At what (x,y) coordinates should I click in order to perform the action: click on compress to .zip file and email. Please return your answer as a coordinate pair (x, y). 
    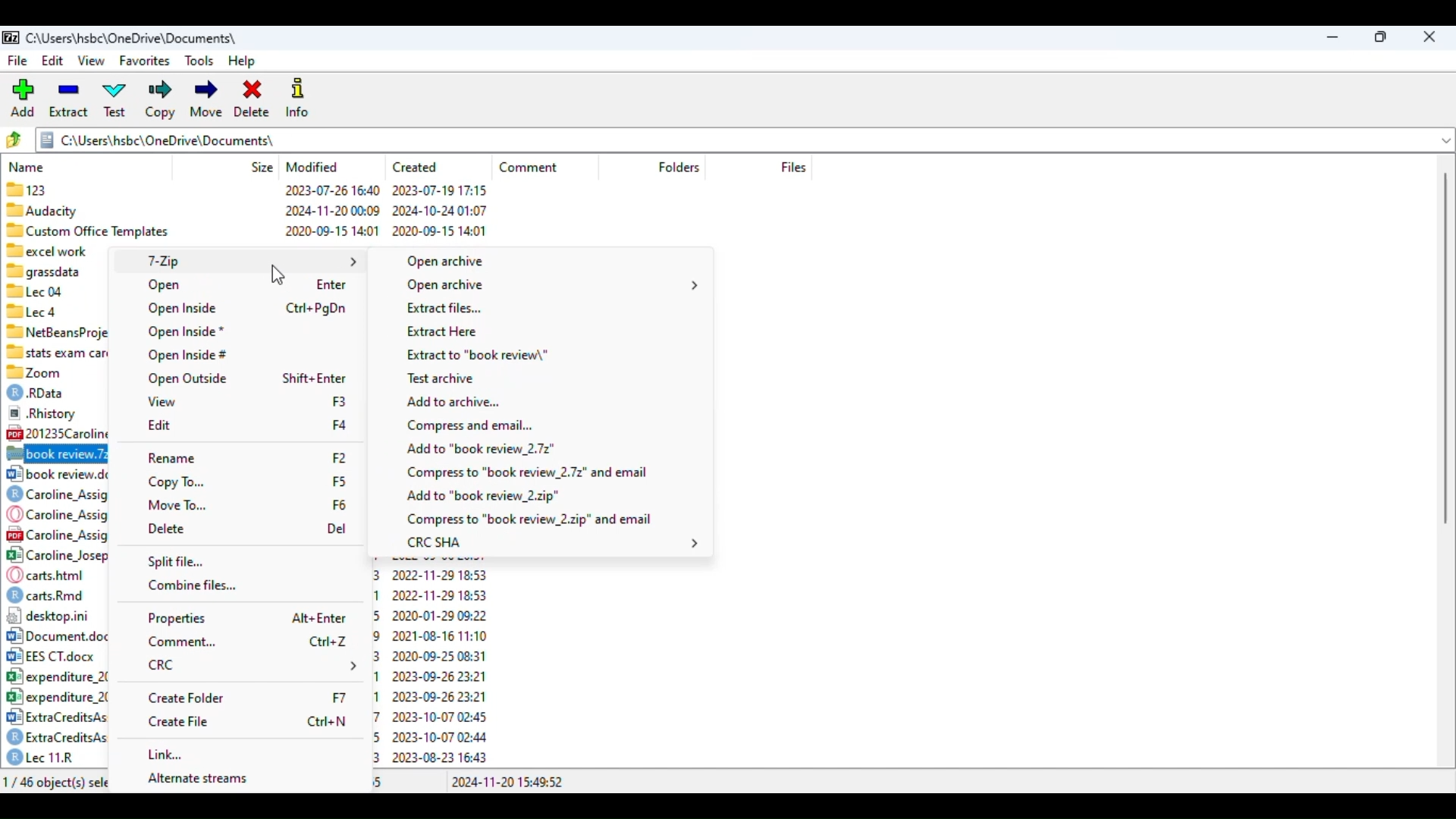
    Looking at the image, I should click on (528, 520).